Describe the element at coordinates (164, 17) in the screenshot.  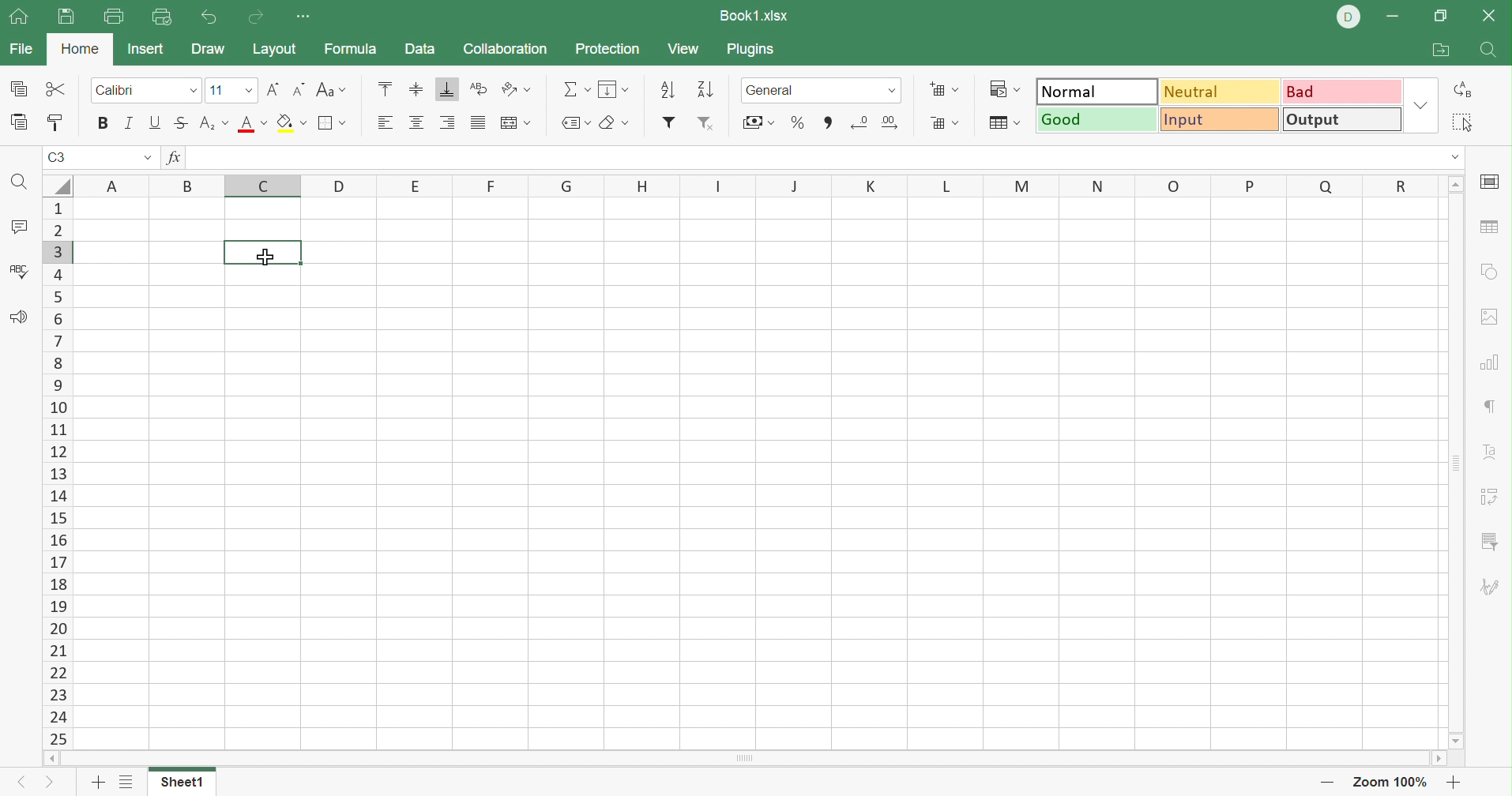
I see `Quick print` at that location.